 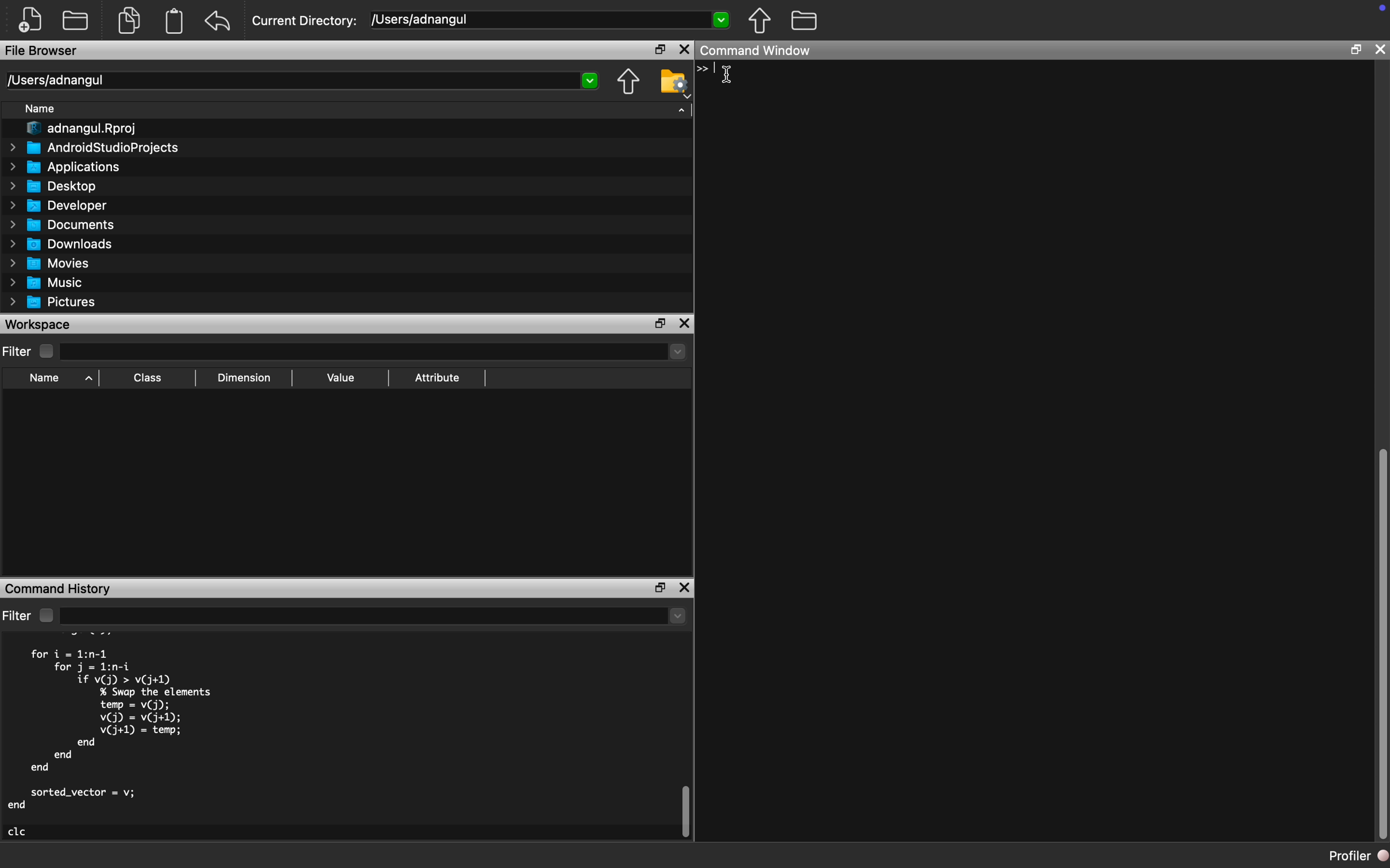 What do you see at coordinates (44, 282) in the screenshot?
I see `Music` at bounding box center [44, 282].